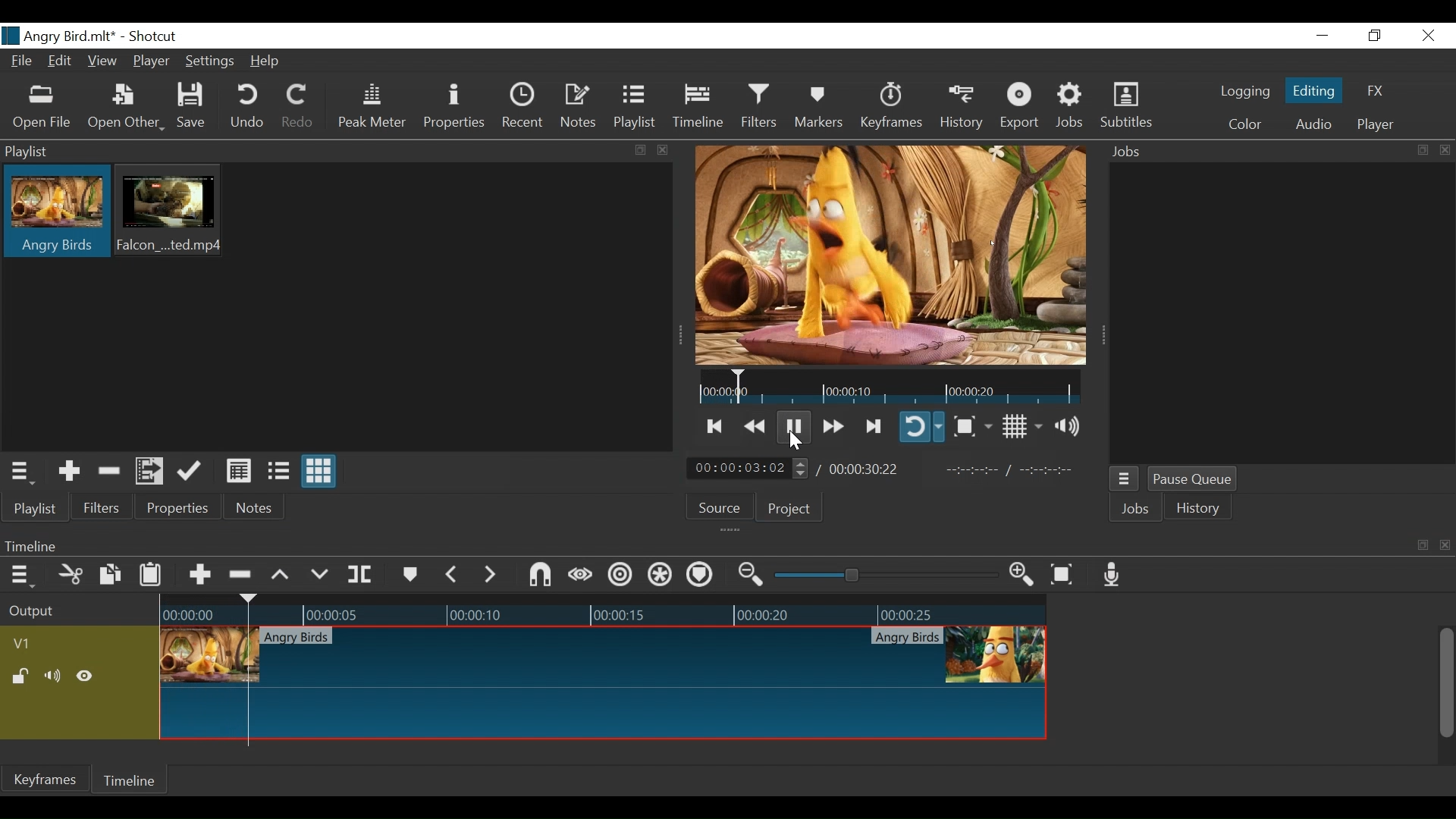  Describe the element at coordinates (1126, 478) in the screenshot. I see `Jobs menu` at that location.